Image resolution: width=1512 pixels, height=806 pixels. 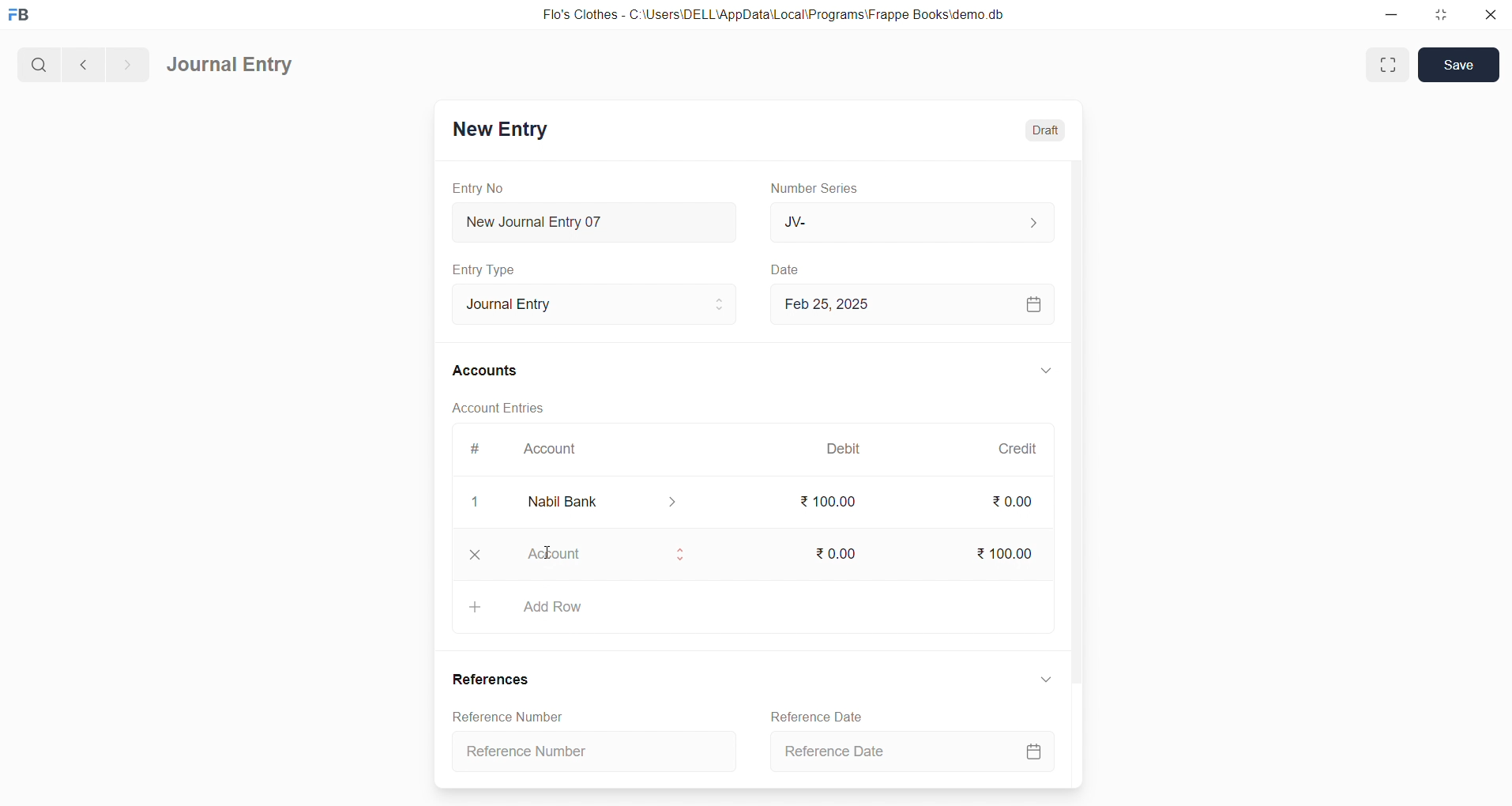 What do you see at coordinates (596, 218) in the screenshot?
I see `New Journal Entry 07` at bounding box center [596, 218].